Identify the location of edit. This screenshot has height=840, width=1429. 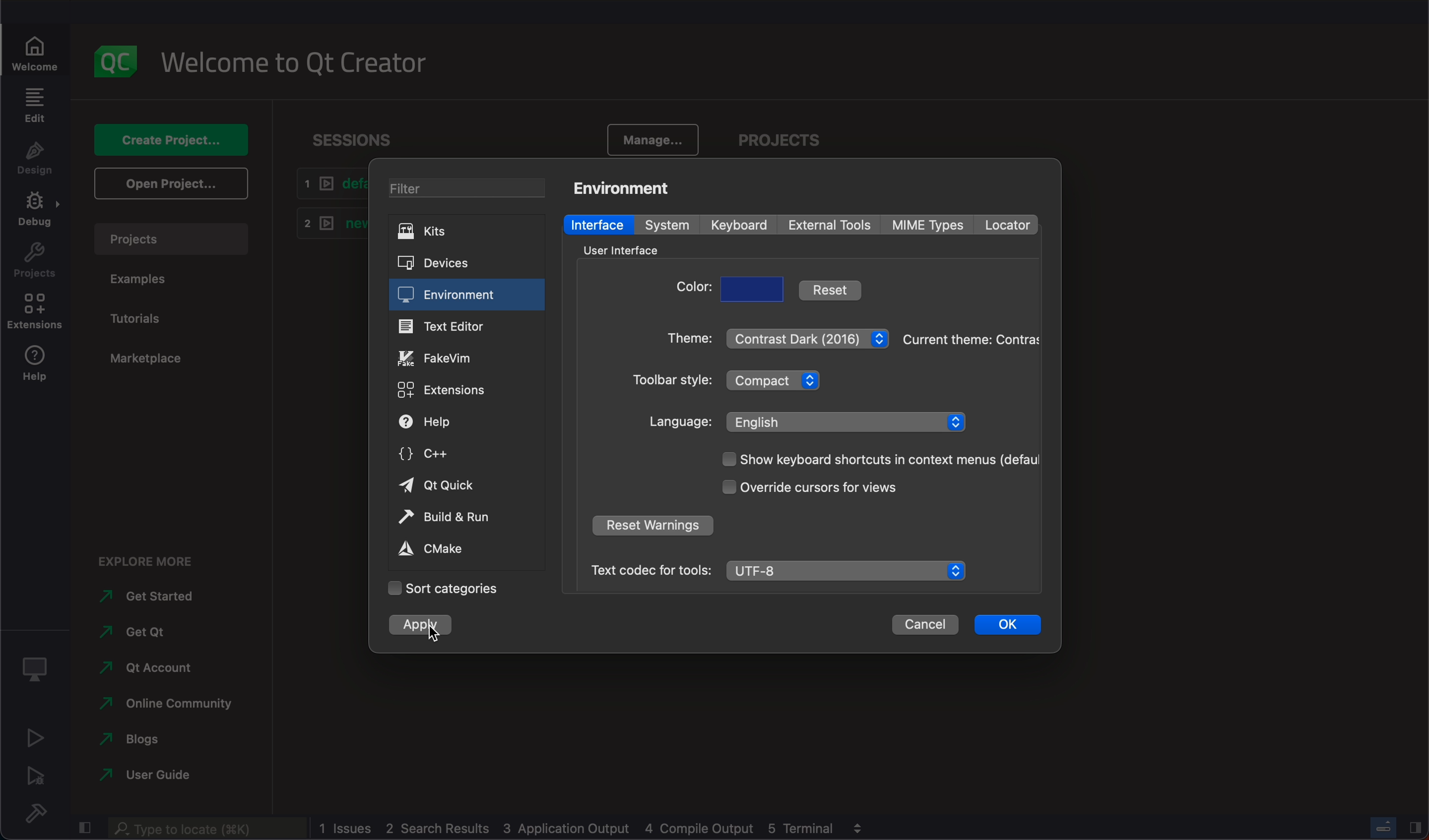
(34, 105).